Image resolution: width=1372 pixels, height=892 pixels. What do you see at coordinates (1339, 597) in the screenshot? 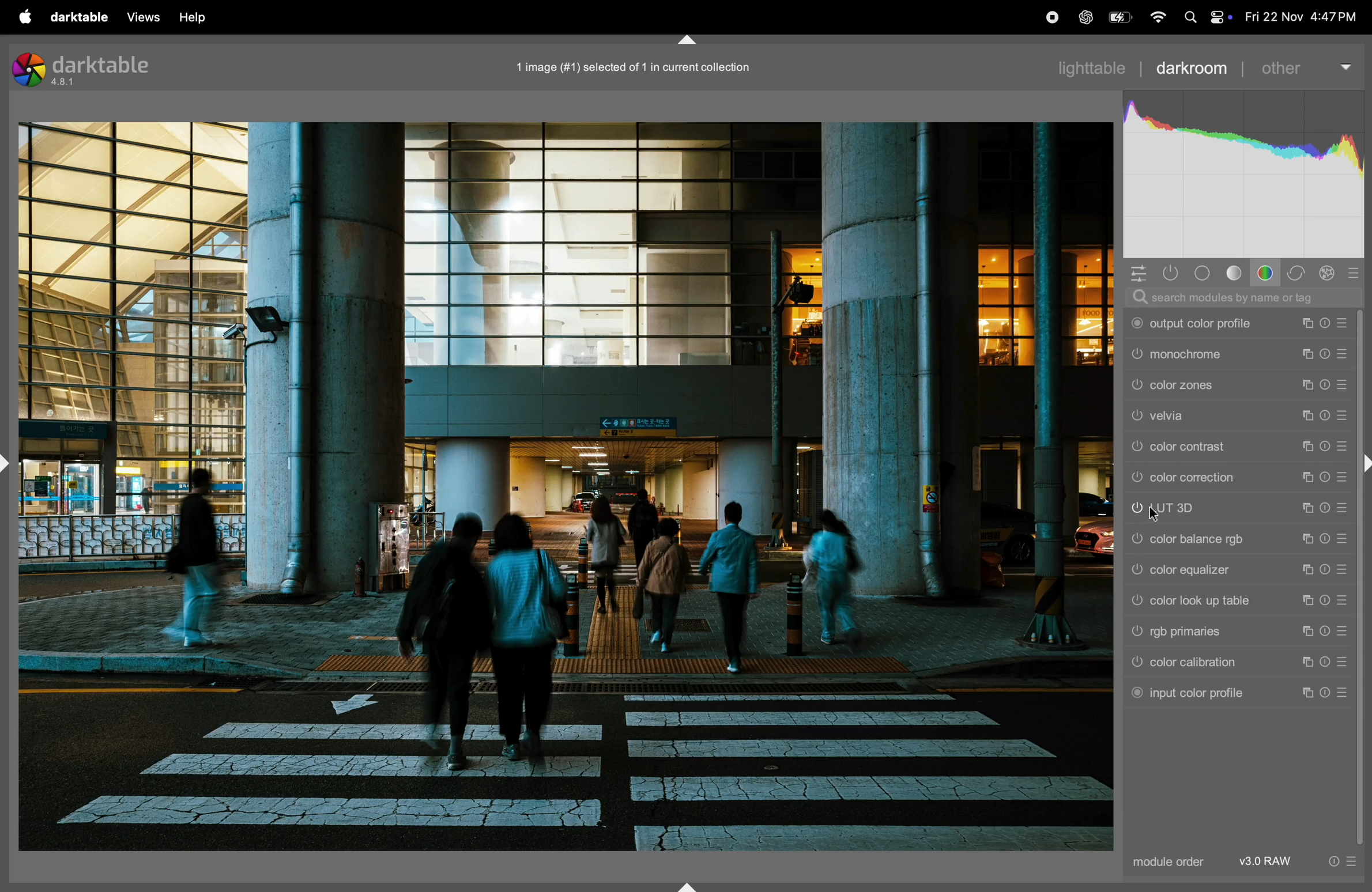
I see `presets` at bounding box center [1339, 597].